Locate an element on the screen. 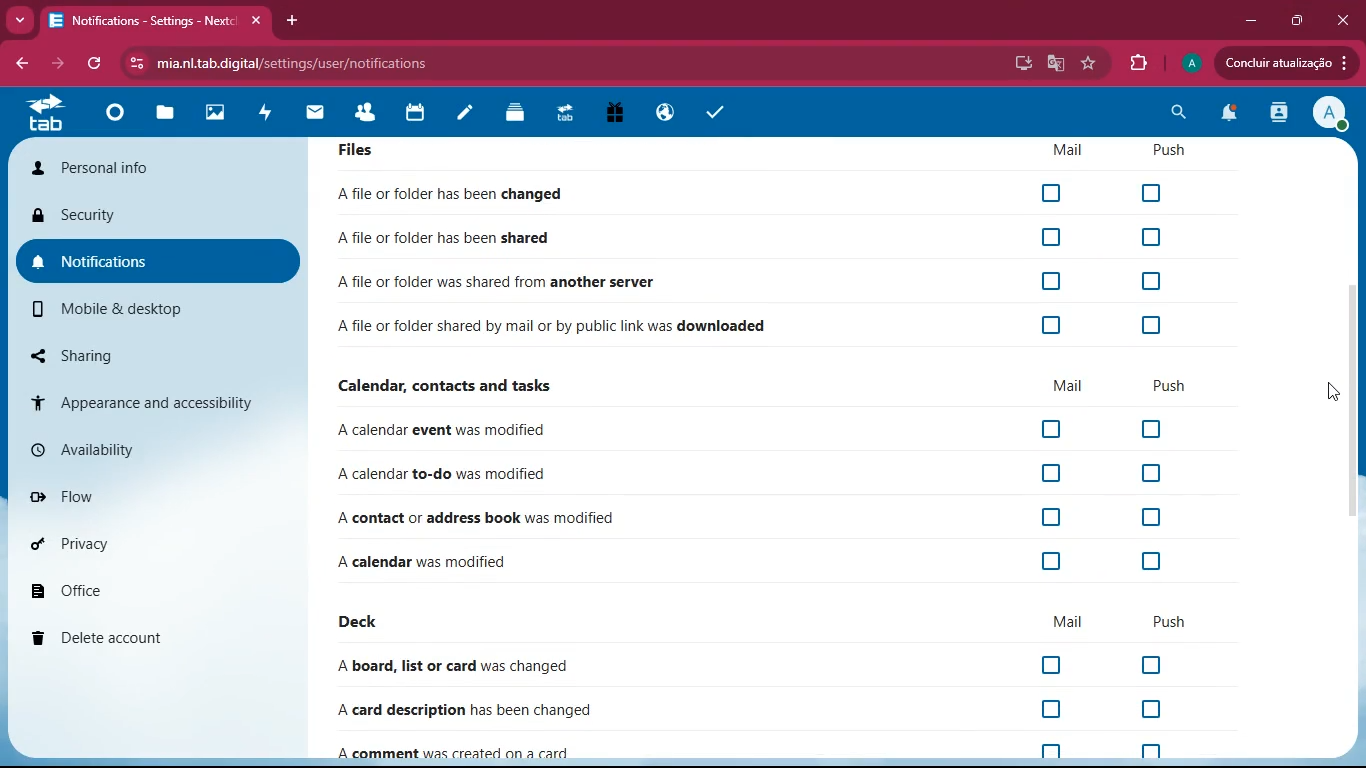 The height and width of the screenshot is (768, 1366). calendar is located at coordinates (459, 385).